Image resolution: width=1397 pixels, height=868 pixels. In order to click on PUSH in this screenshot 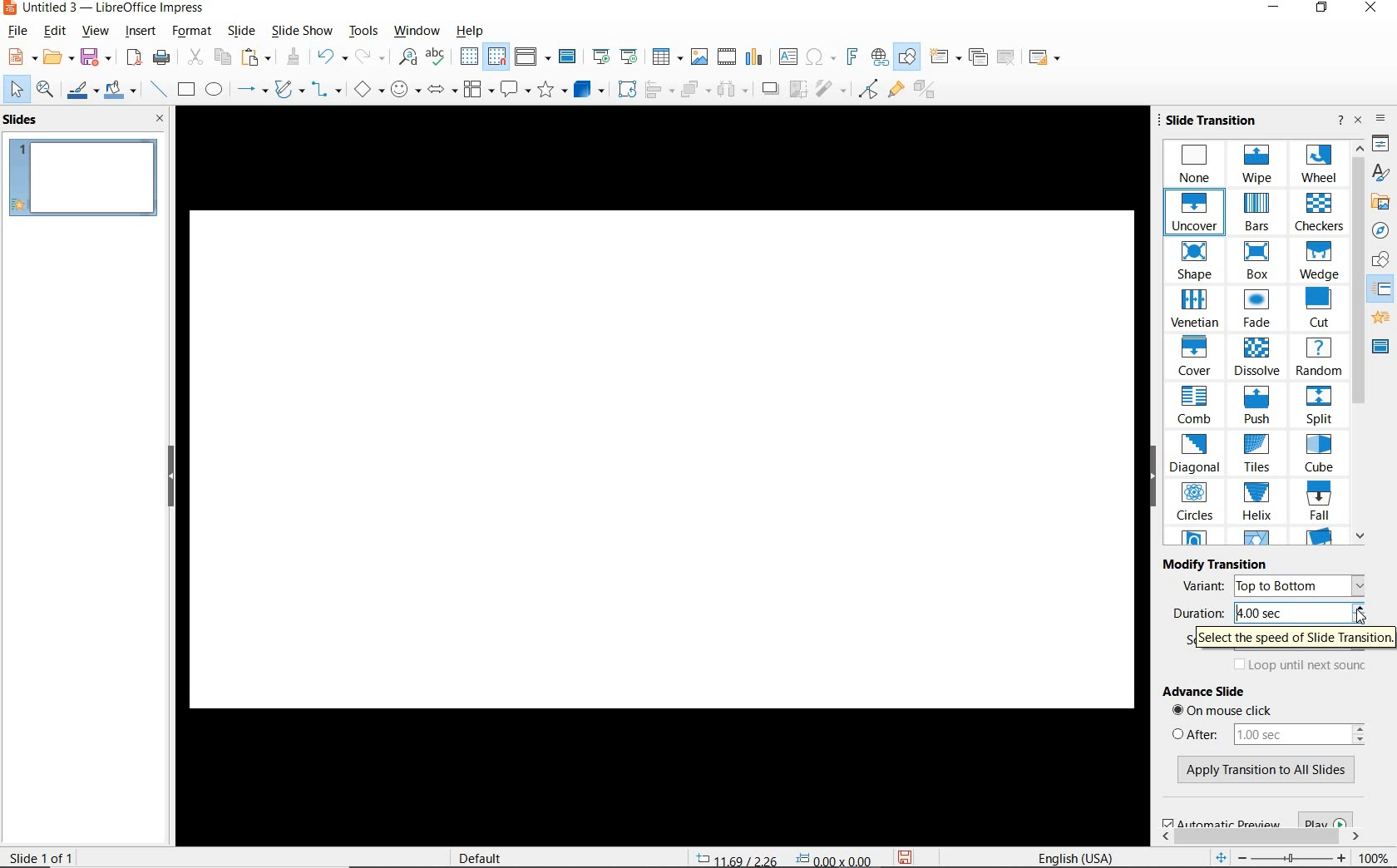, I will do `click(1258, 407)`.